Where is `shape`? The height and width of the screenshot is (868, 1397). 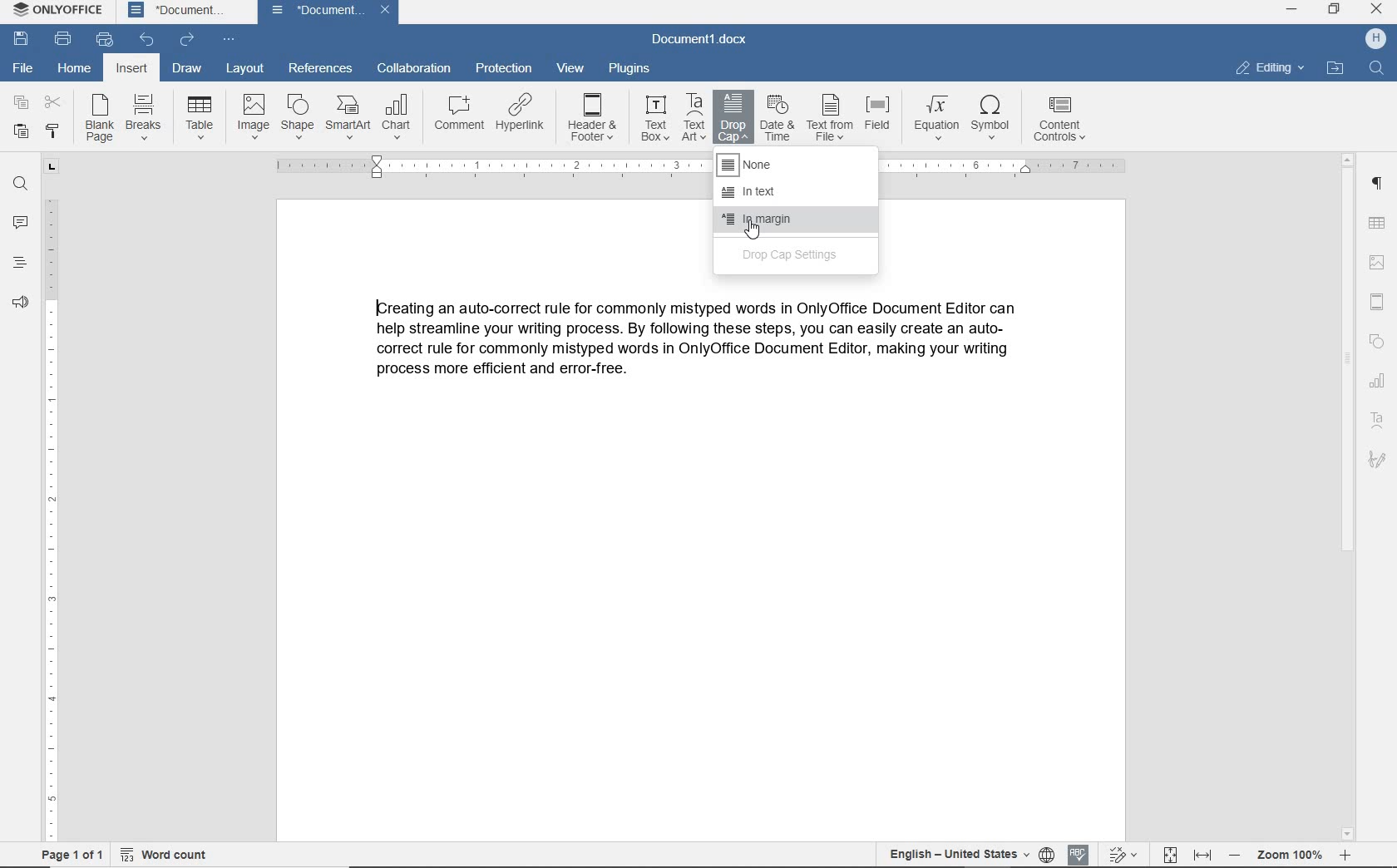
shape is located at coordinates (1378, 340).